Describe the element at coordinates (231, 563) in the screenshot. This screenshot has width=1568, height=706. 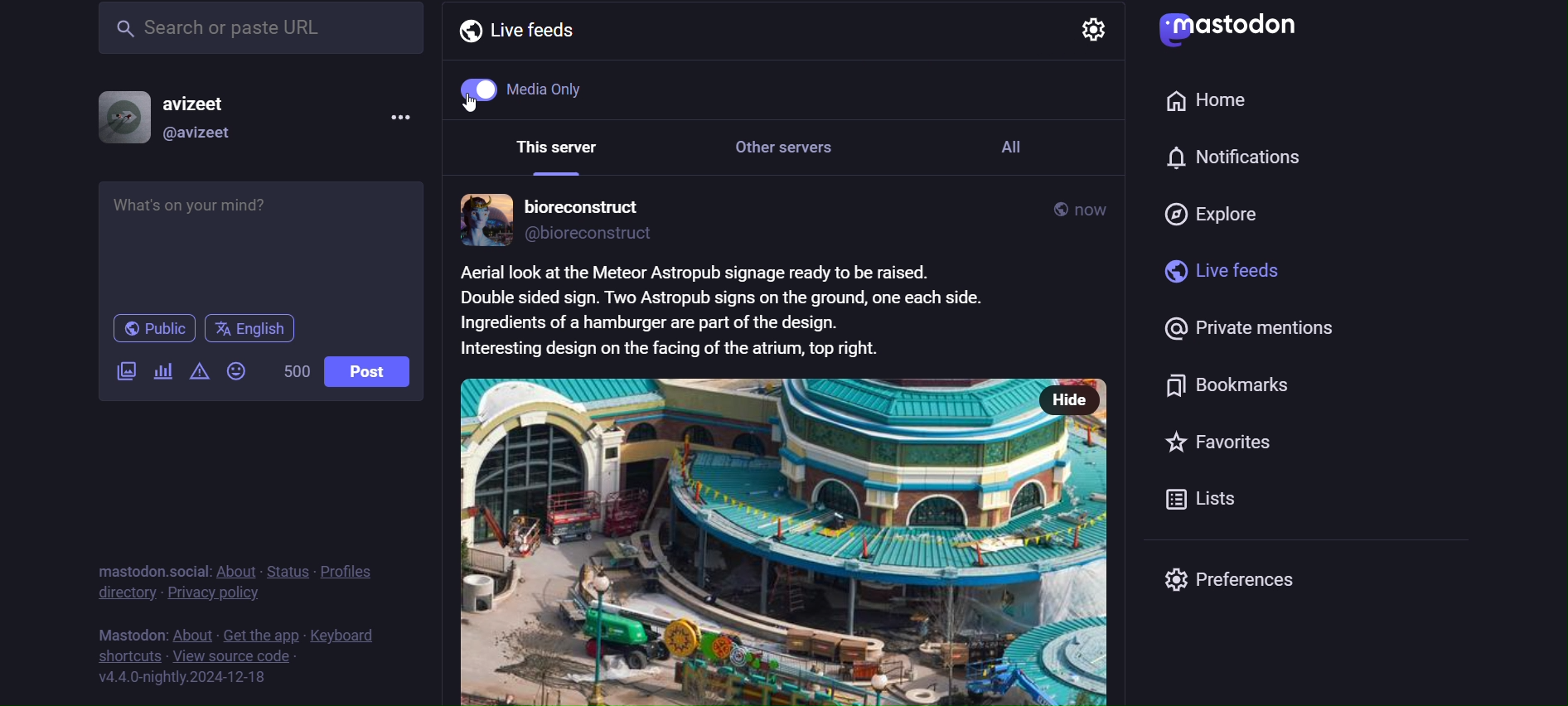
I see `about` at that location.